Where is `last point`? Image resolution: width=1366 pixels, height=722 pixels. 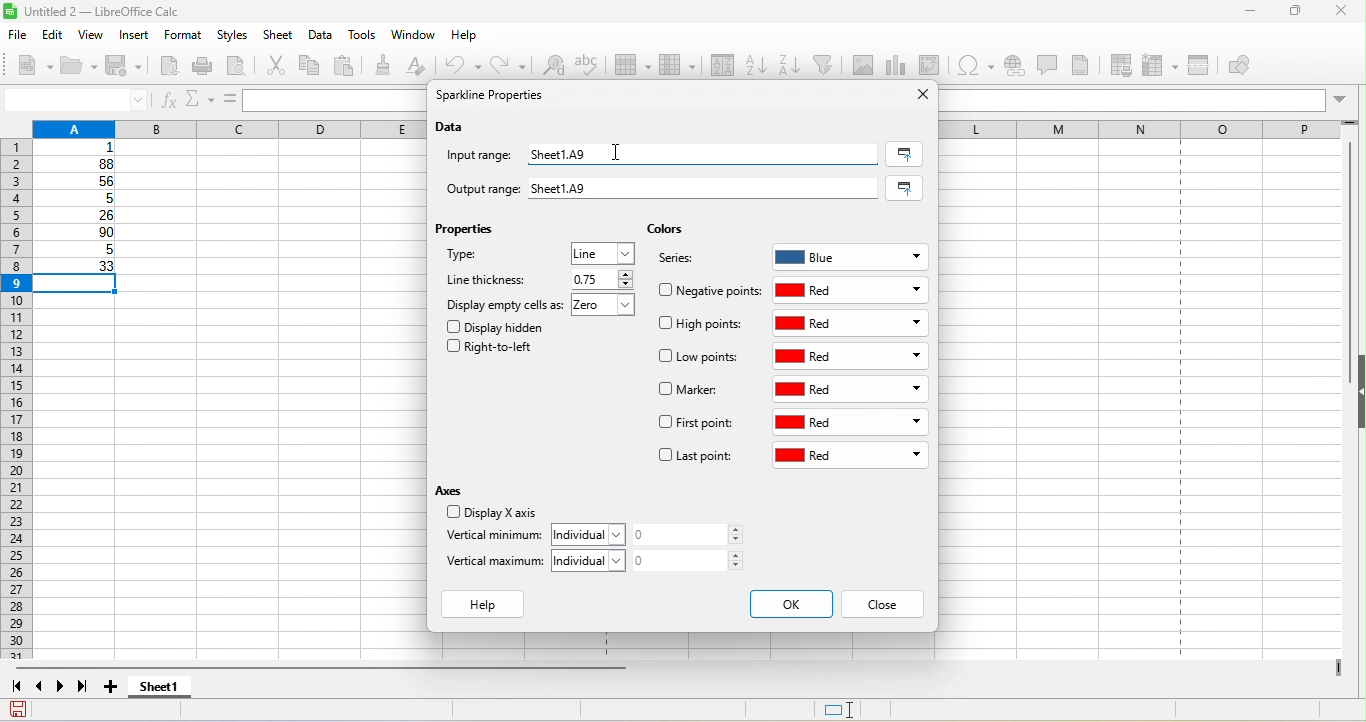
last point is located at coordinates (695, 458).